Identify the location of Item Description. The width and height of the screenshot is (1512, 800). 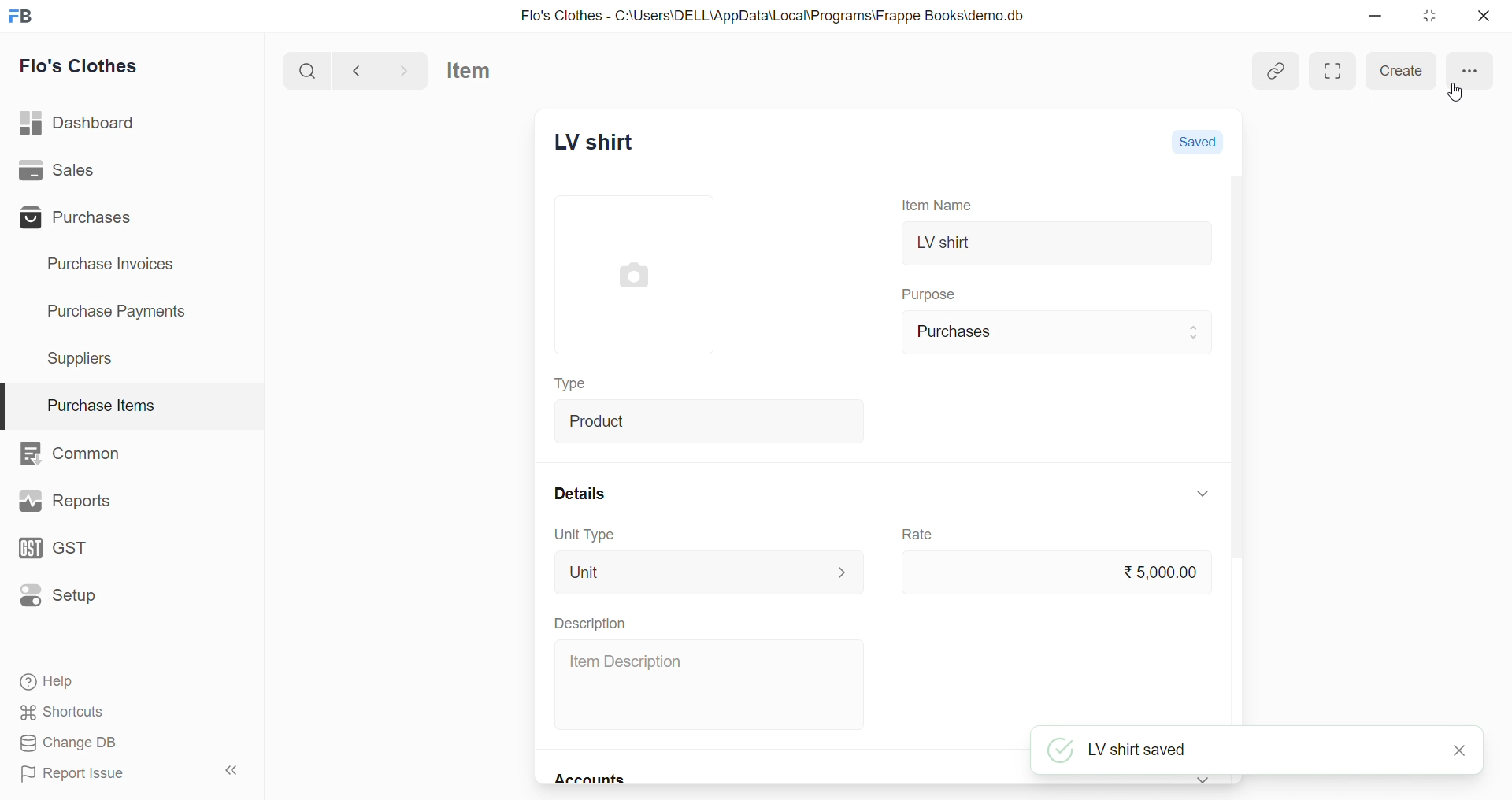
(713, 685).